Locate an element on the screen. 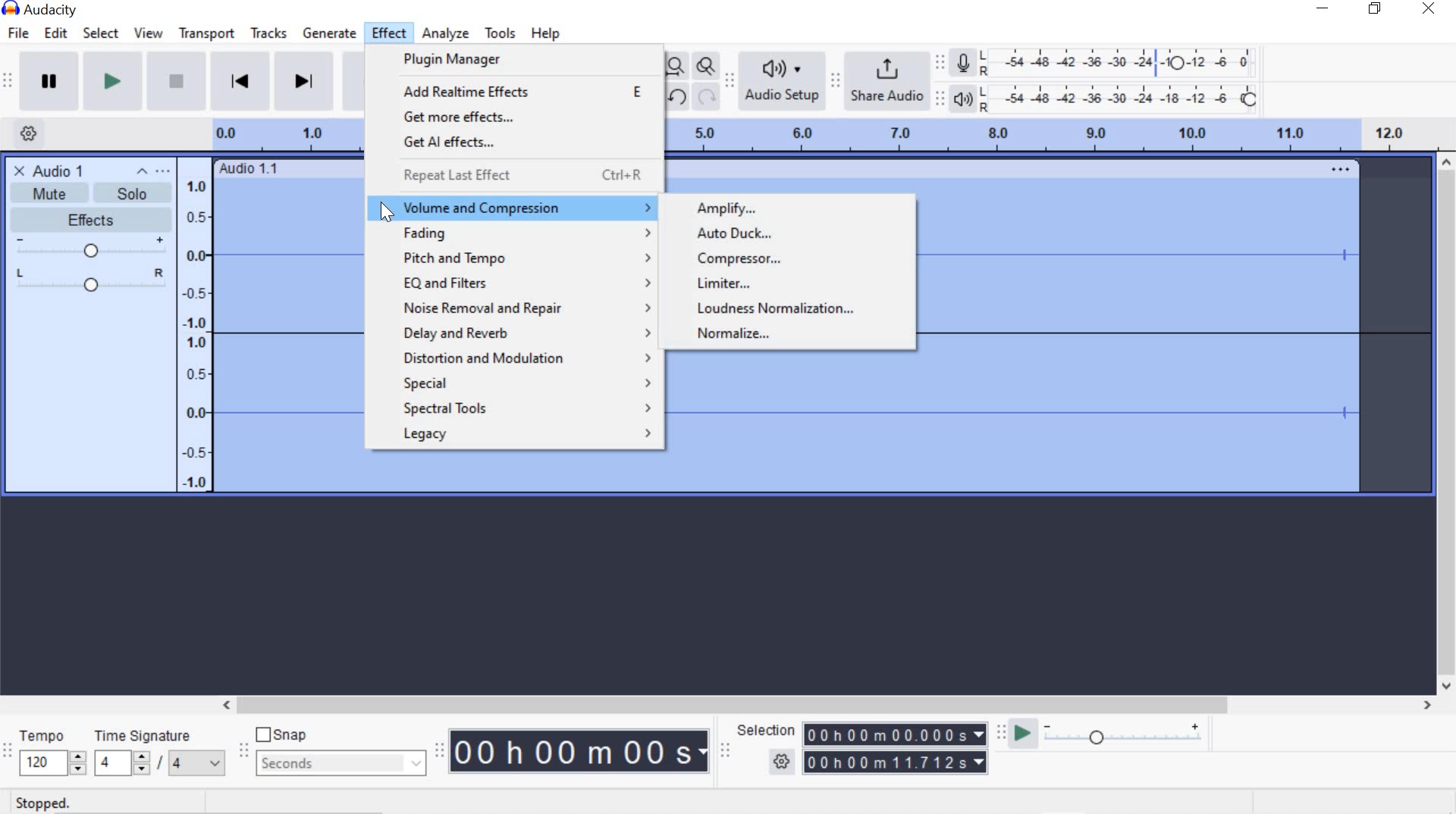 The height and width of the screenshot is (814, 1456). Selection time is located at coordinates (898, 749).